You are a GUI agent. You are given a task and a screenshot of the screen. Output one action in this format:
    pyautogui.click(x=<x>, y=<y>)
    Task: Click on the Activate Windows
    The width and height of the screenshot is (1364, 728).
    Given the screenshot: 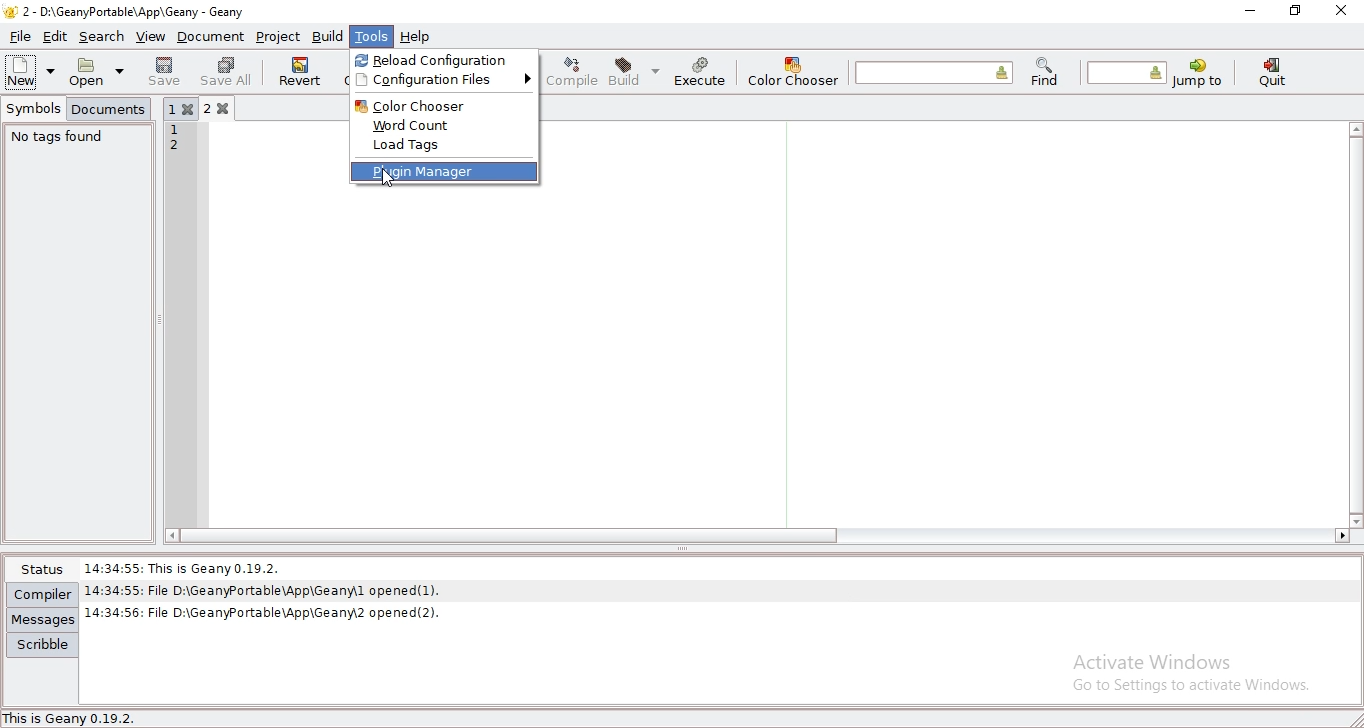 What is the action you would take?
    pyautogui.click(x=1159, y=660)
    